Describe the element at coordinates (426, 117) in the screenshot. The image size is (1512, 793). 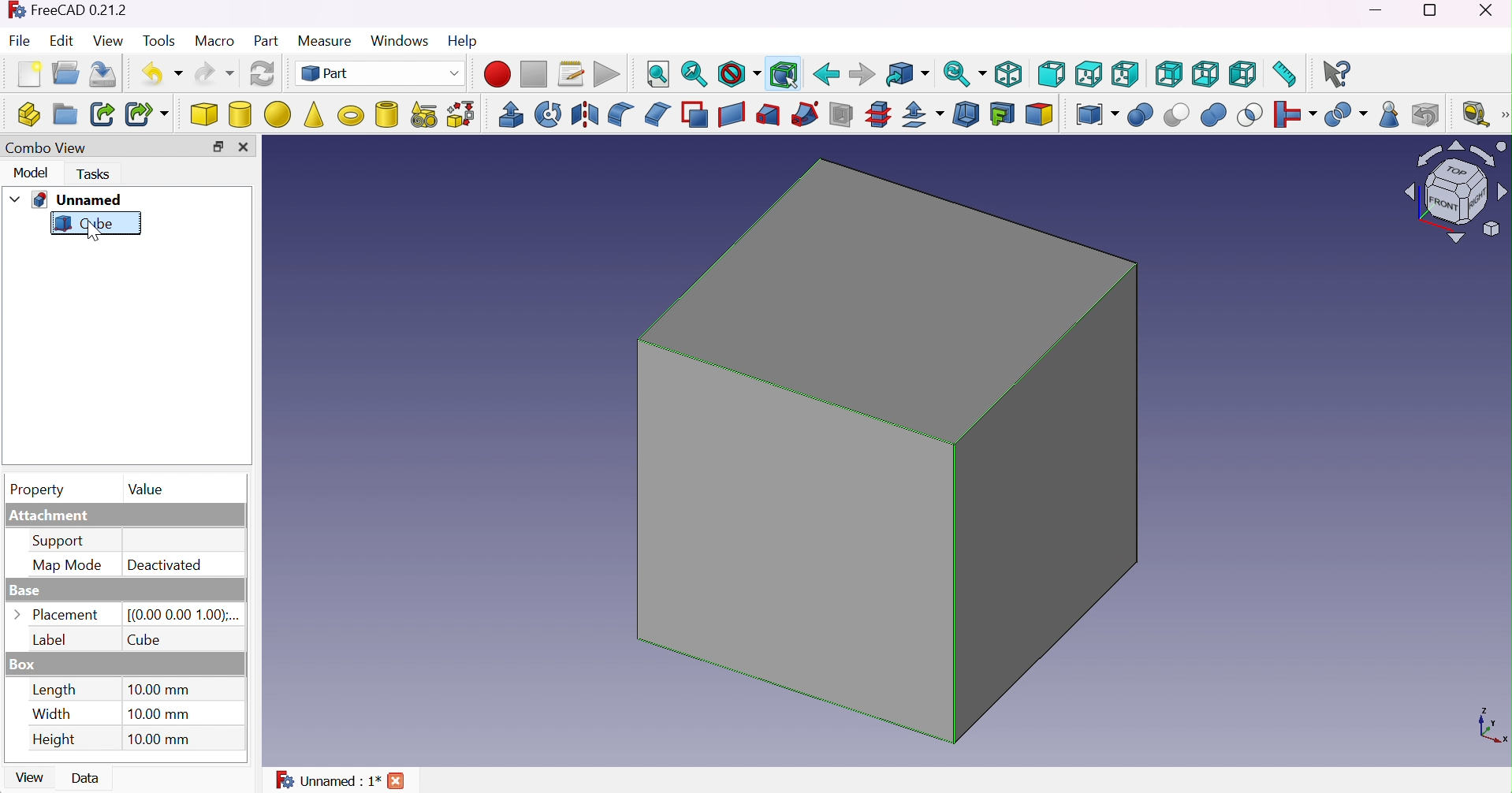
I see `Create primitives` at that location.